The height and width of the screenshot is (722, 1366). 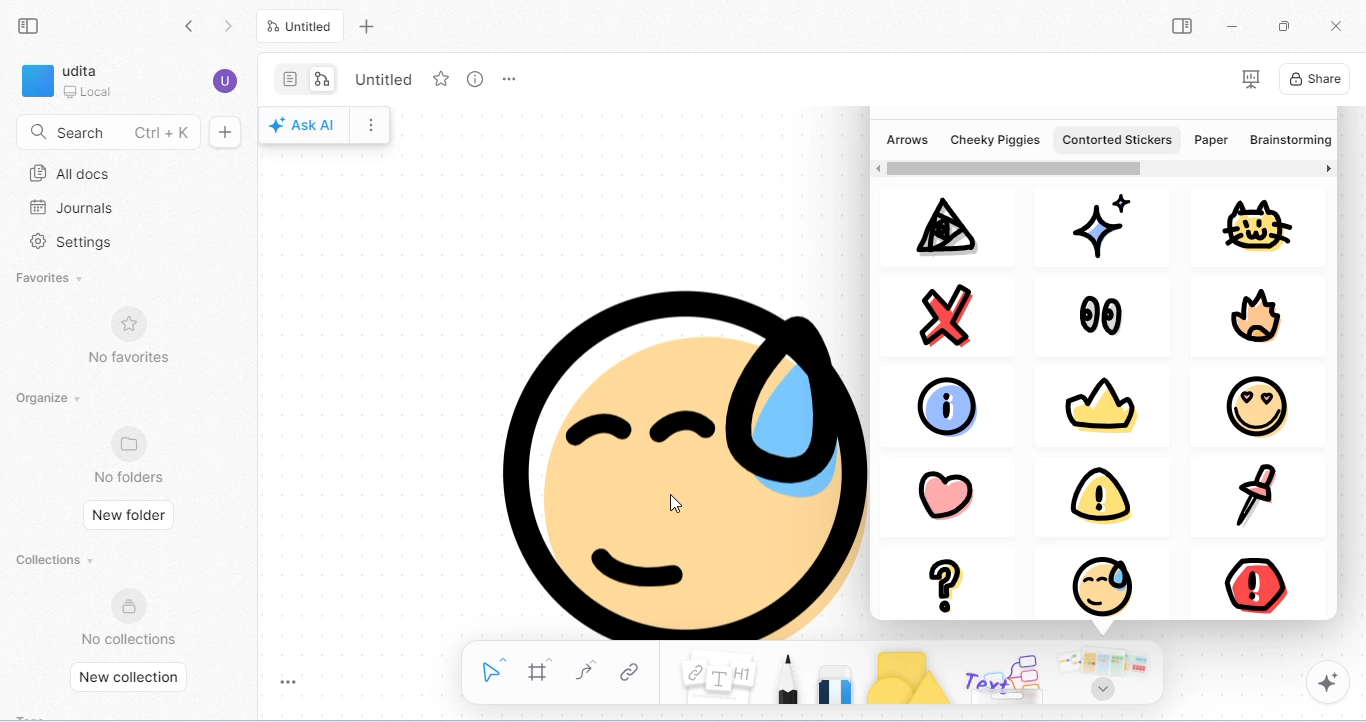 What do you see at coordinates (943, 490) in the screenshot?
I see `love` at bounding box center [943, 490].